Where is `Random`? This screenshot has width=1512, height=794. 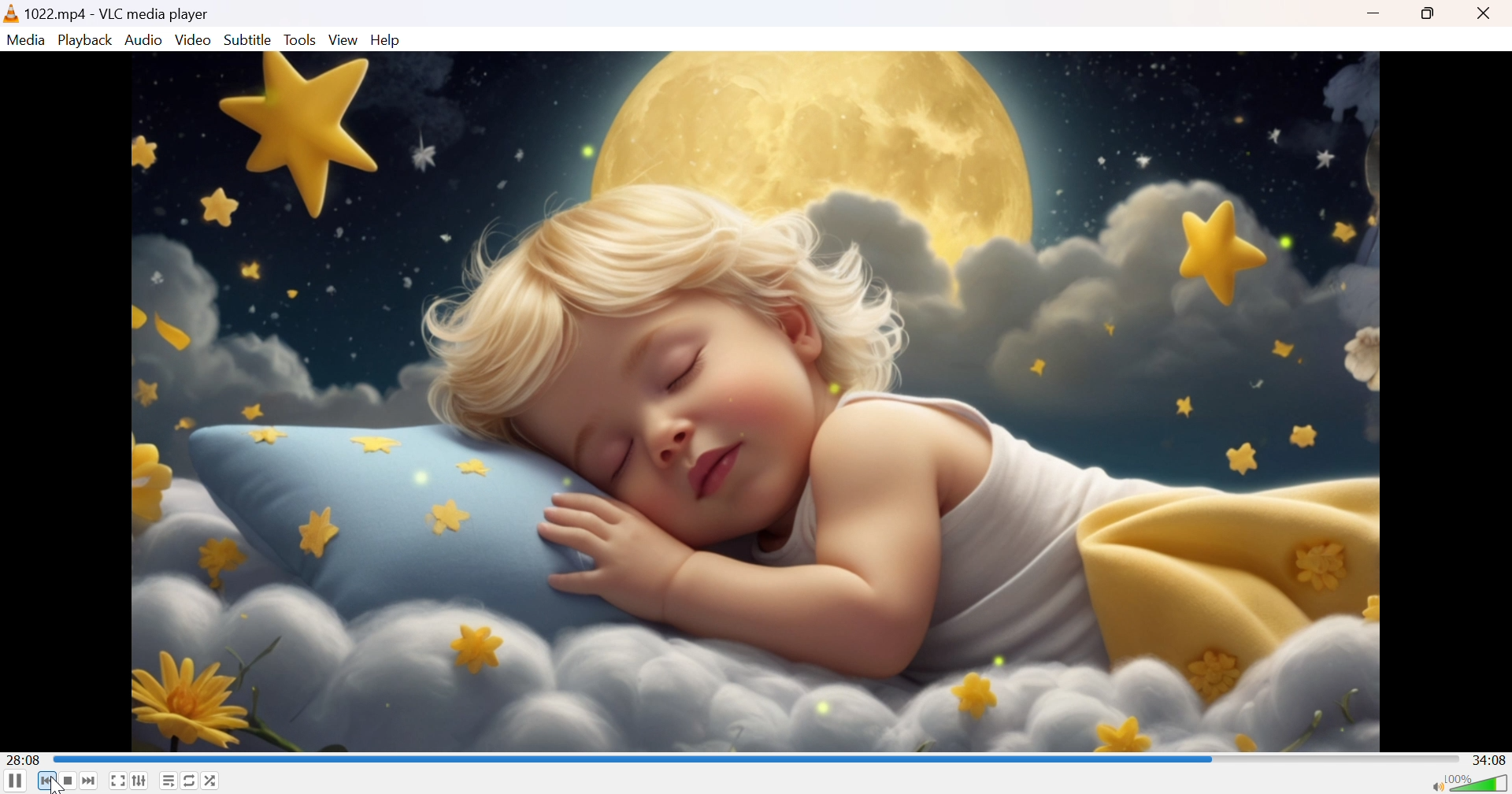 Random is located at coordinates (213, 780).